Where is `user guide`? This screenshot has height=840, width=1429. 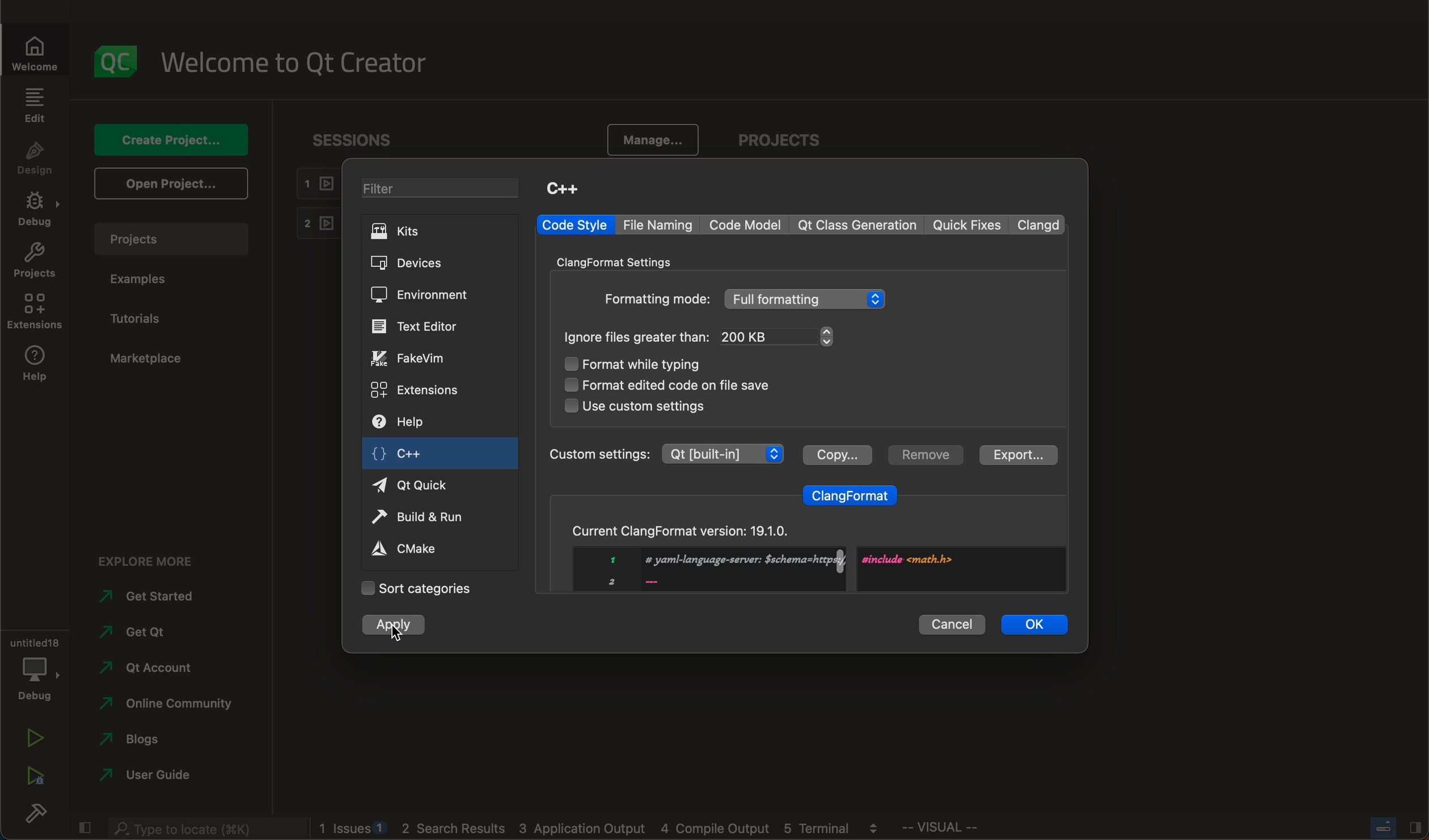
user guide is located at coordinates (149, 777).